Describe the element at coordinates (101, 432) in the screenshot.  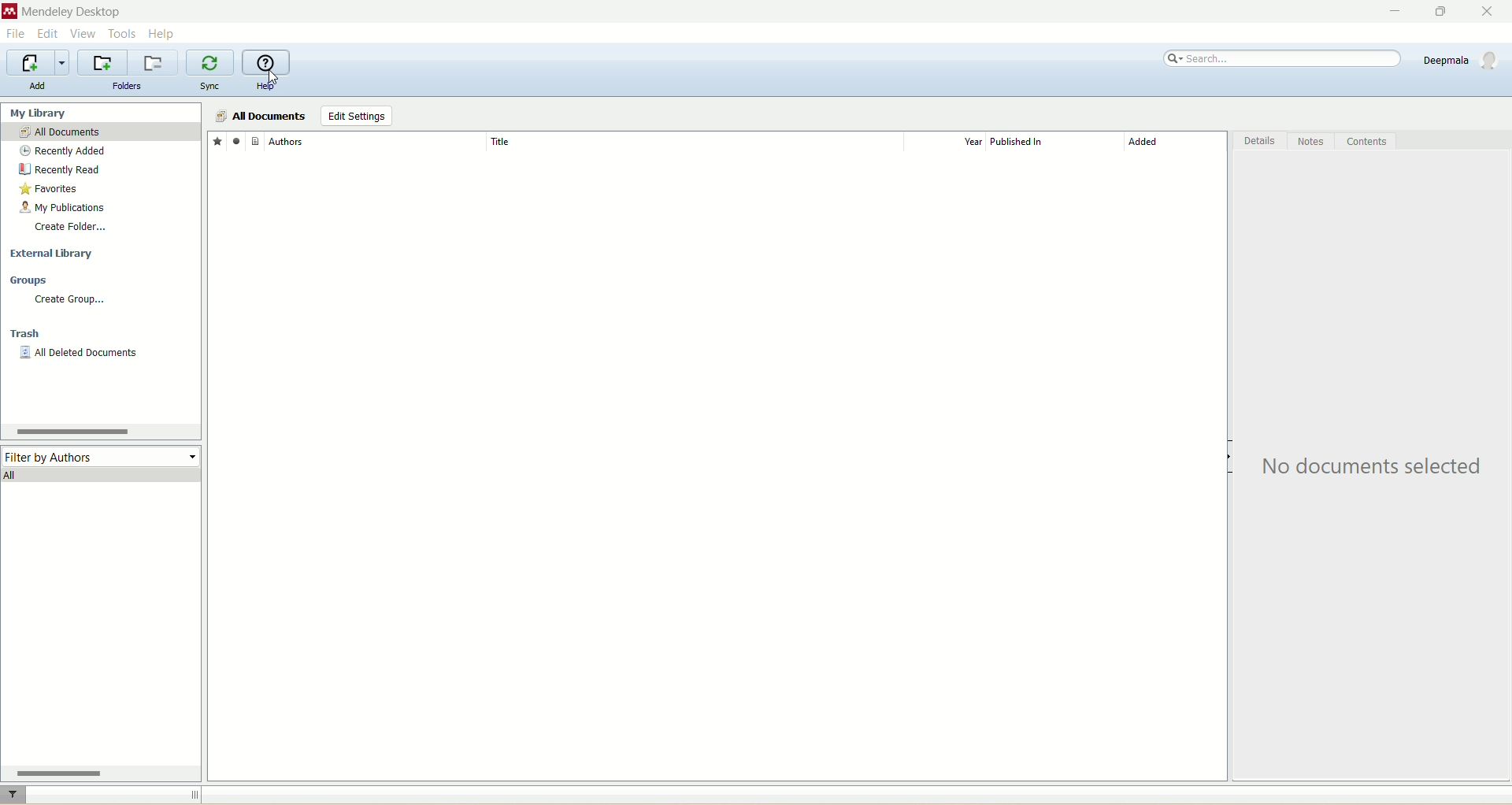
I see `horizontal scroll bar` at that location.